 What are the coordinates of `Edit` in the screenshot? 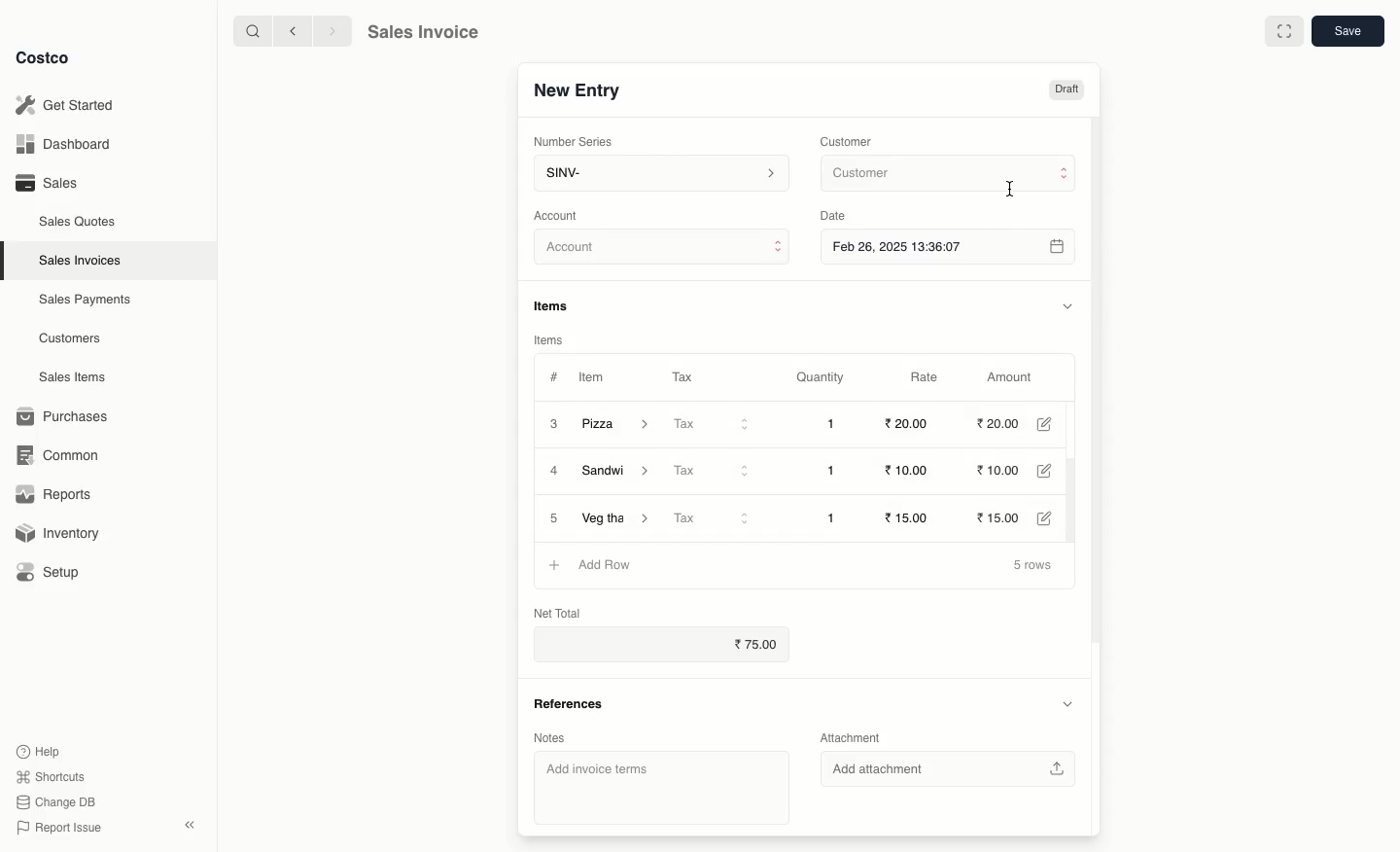 It's located at (1056, 472).